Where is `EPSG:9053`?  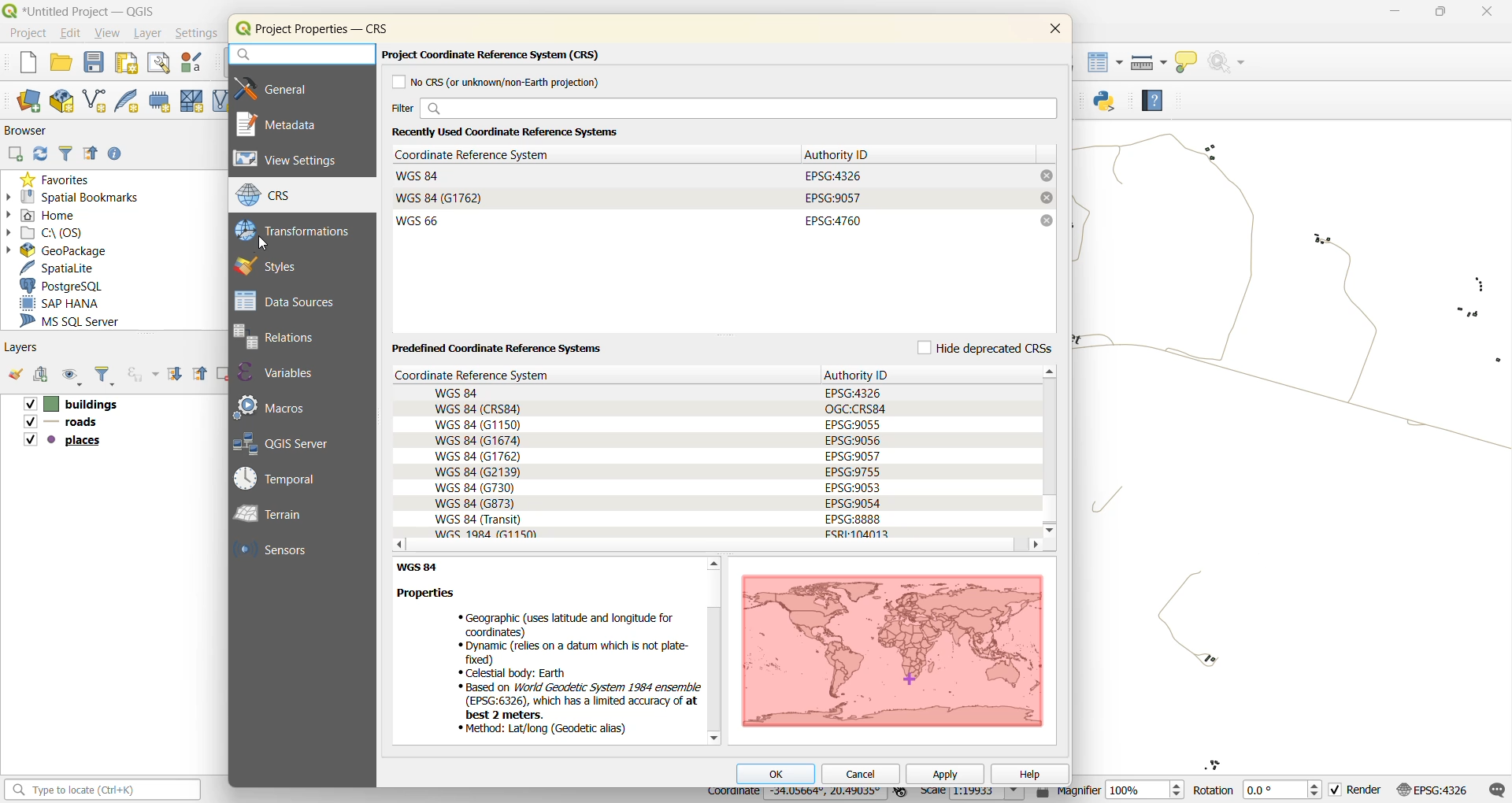 EPSG:9053 is located at coordinates (854, 487).